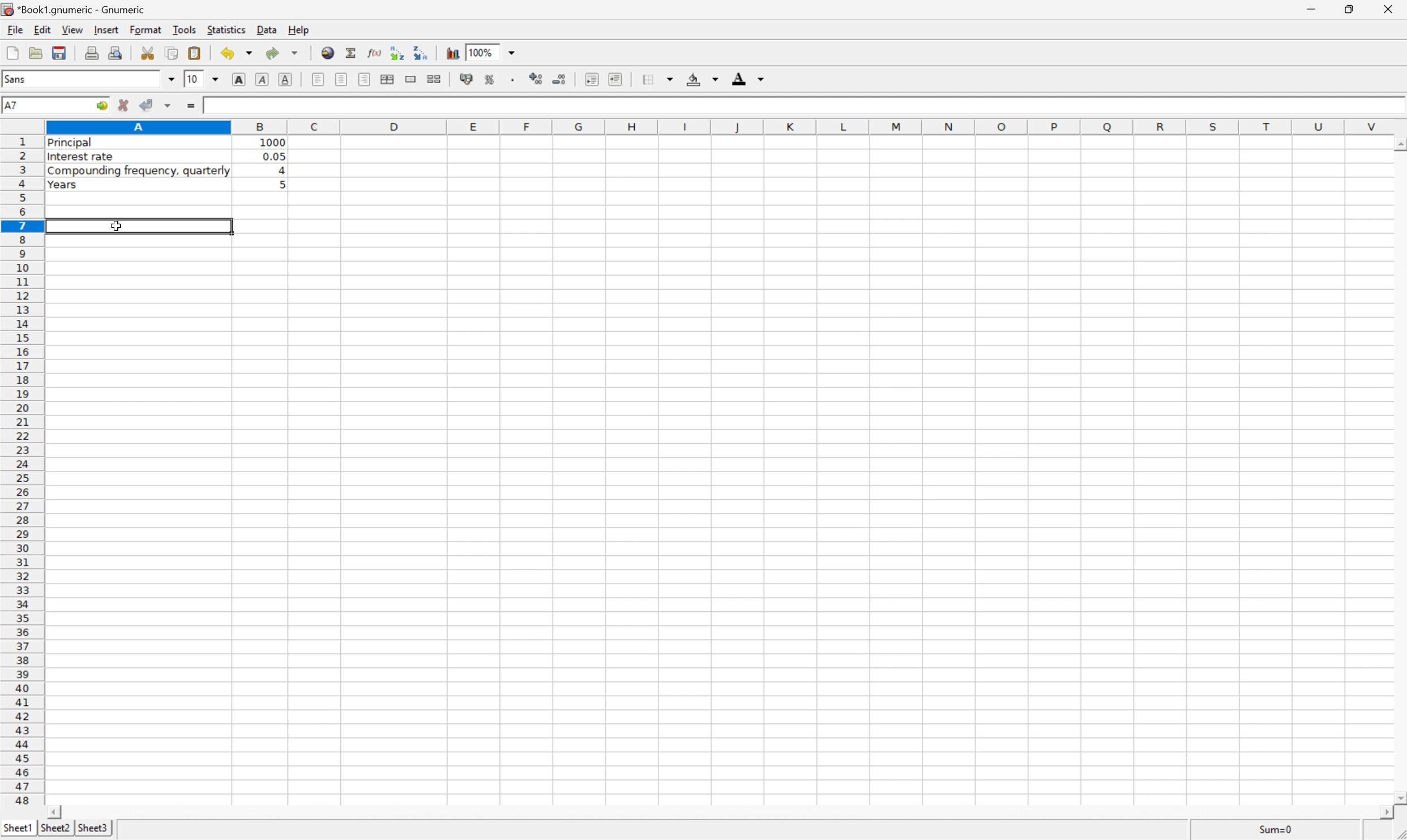 The height and width of the screenshot is (840, 1407). What do you see at coordinates (411, 79) in the screenshot?
I see `merge range of cells` at bounding box center [411, 79].